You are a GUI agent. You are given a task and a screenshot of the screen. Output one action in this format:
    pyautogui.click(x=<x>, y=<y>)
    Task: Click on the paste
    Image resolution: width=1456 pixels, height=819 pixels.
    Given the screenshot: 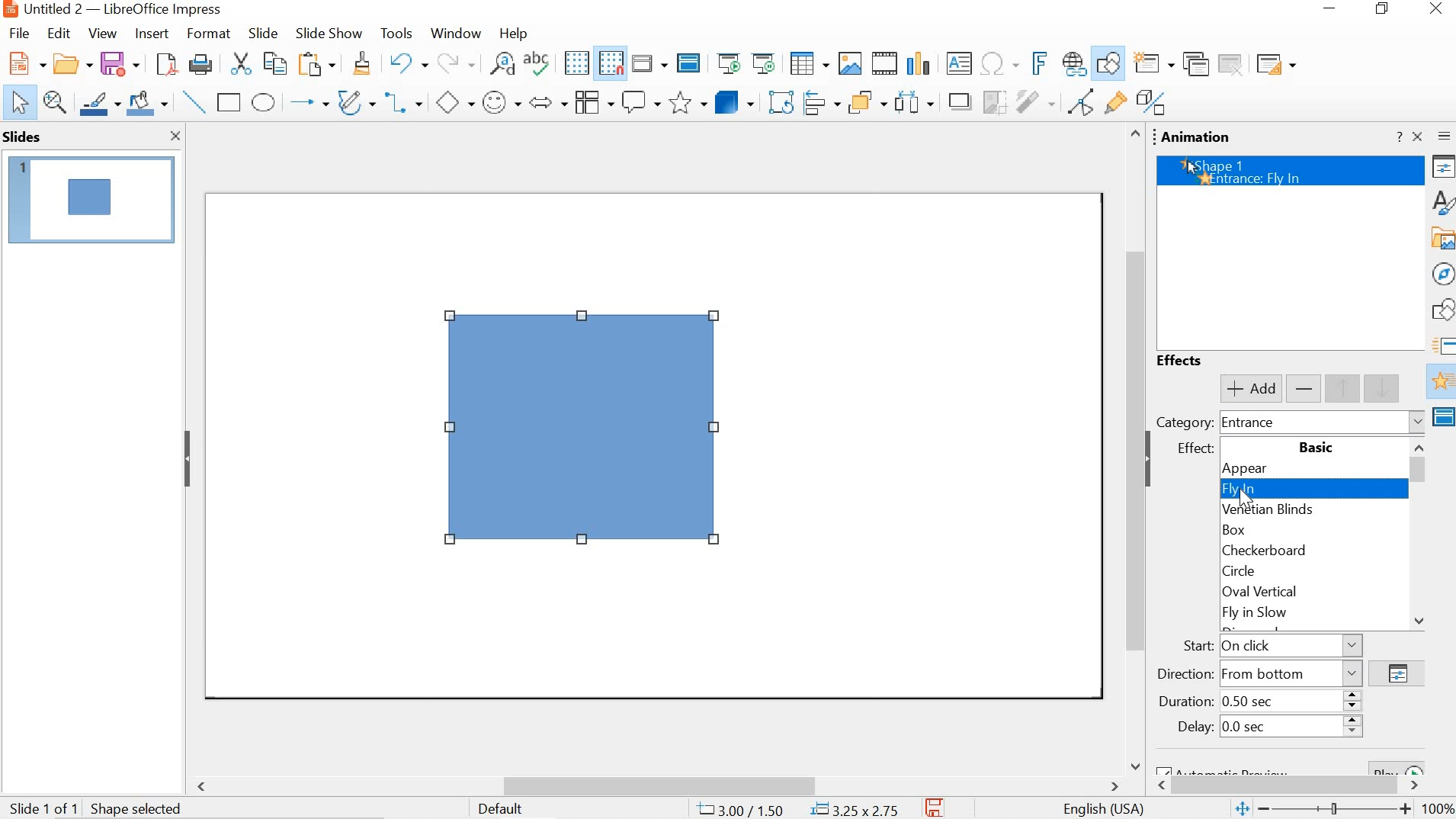 What is the action you would take?
    pyautogui.click(x=318, y=64)
    